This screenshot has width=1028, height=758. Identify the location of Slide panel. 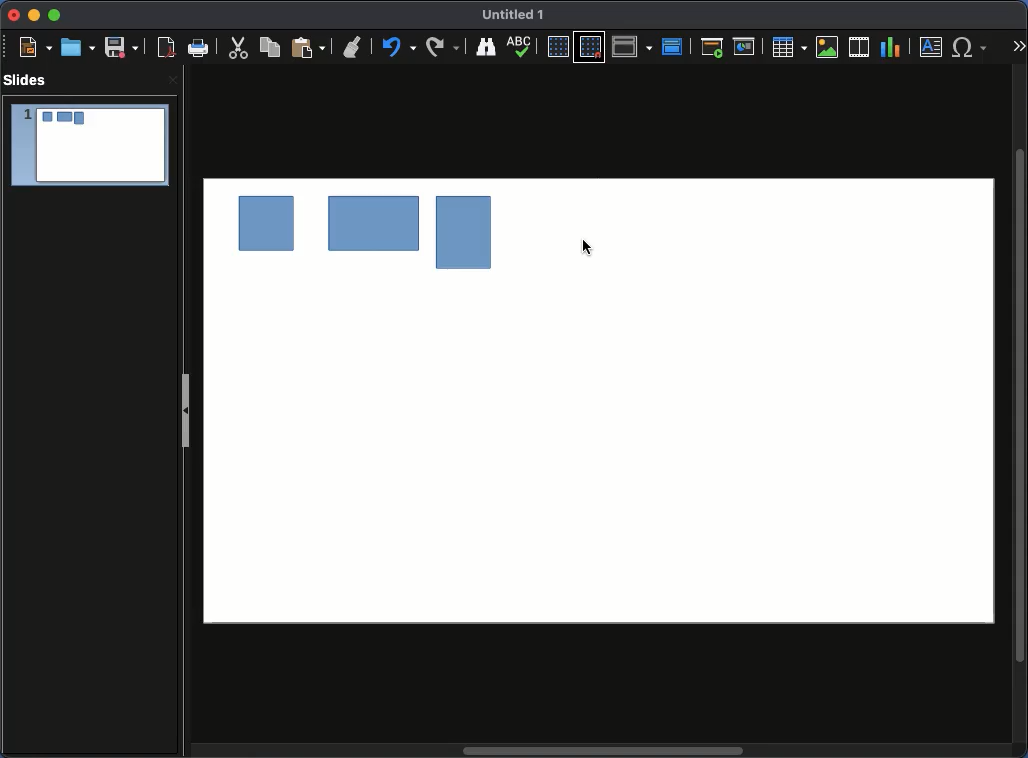
(186, 414).